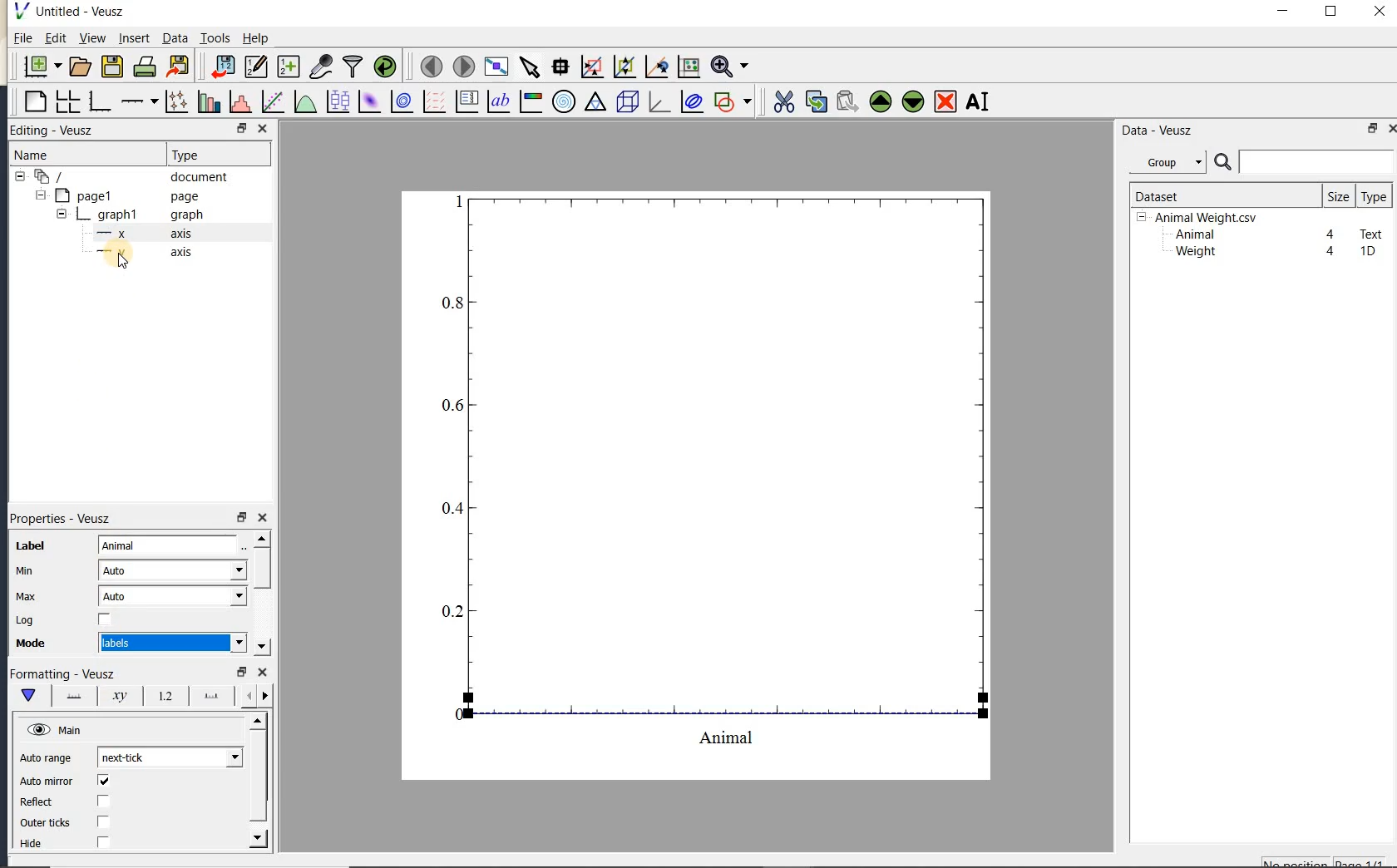 The width and height of the screenshot is (1397, 868). Describe the element at coordinates (690, 101) in the screenshot. I see `plot covariance ellipses` at that location.